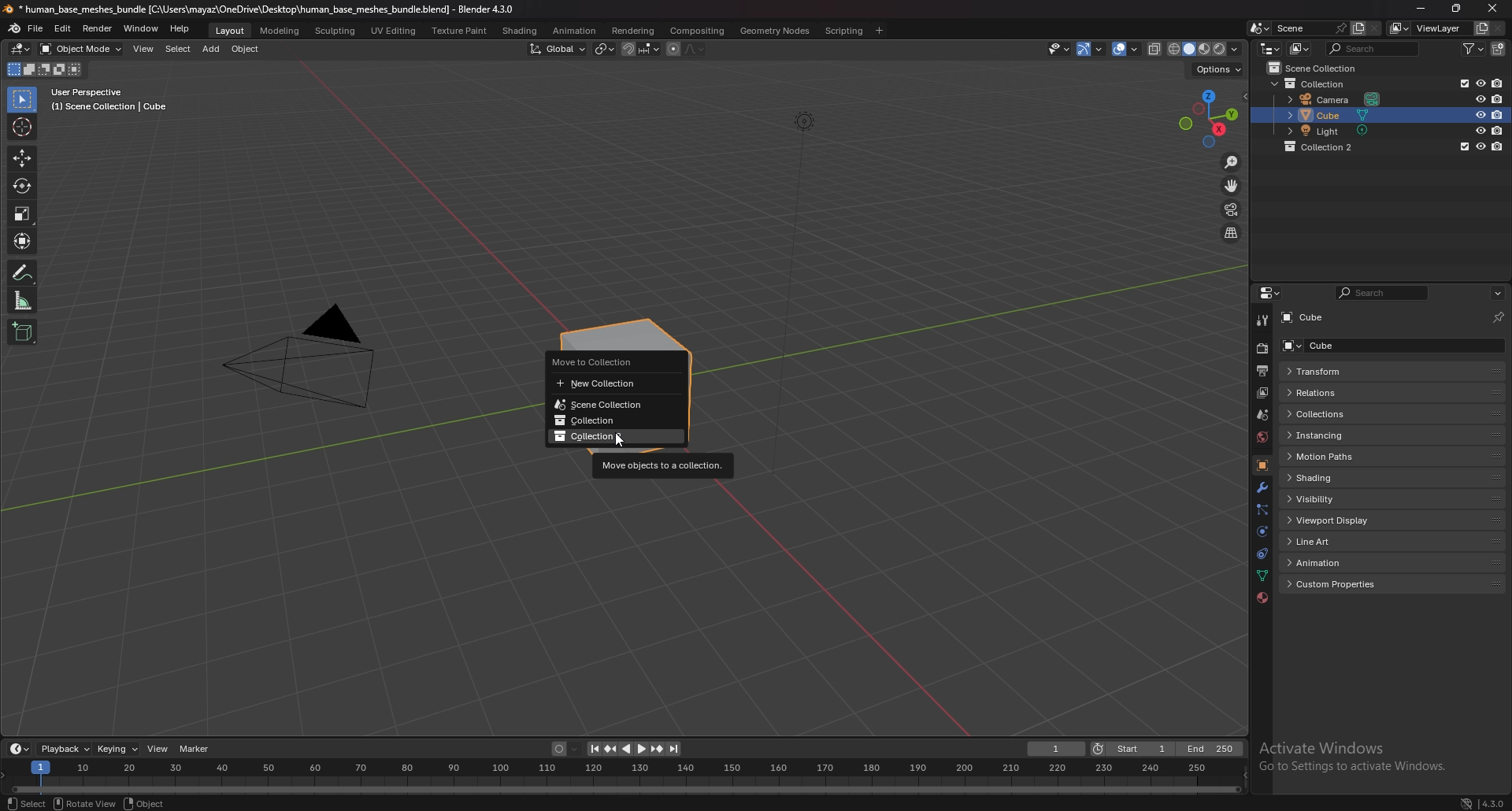  I want to click on physics, so click(1263, 531).